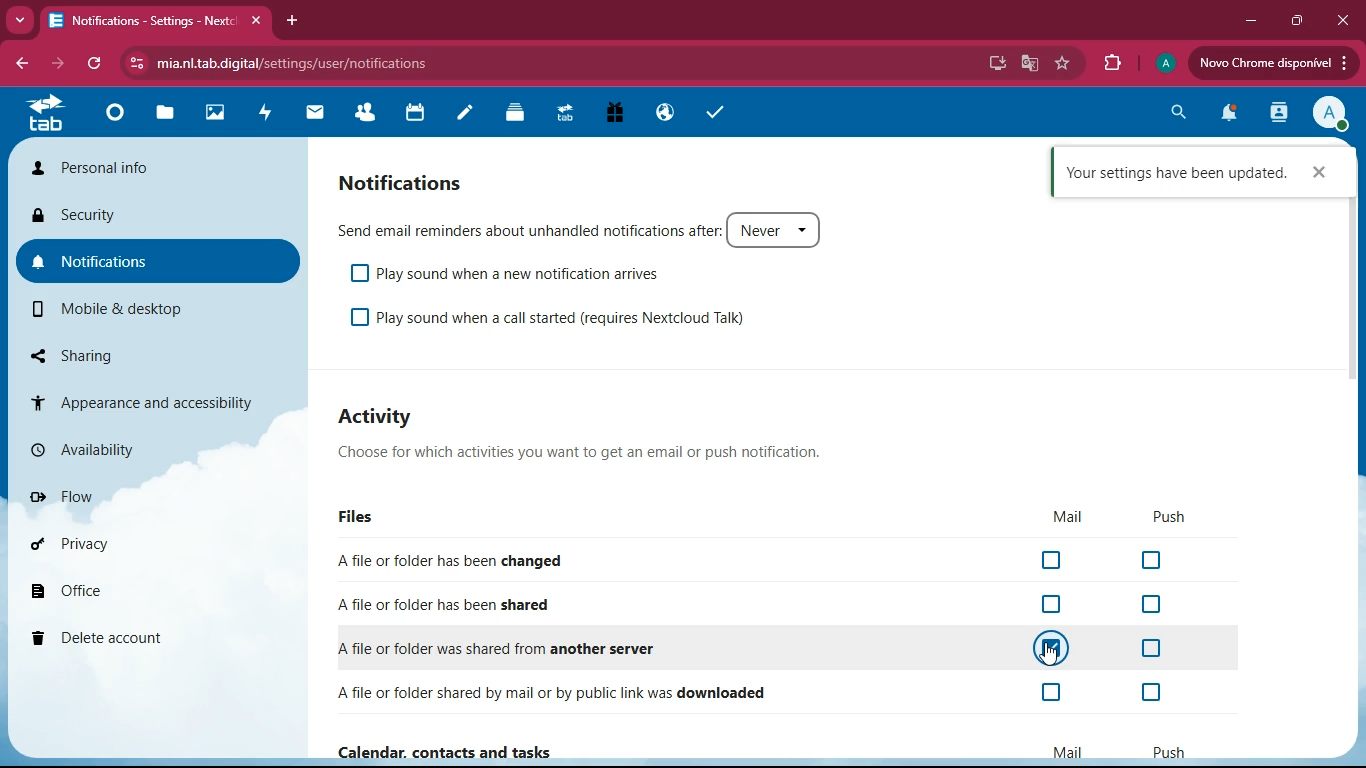 The width and height of the screenshot is (1366, 768). I want to click on tab, so click(153, 21).